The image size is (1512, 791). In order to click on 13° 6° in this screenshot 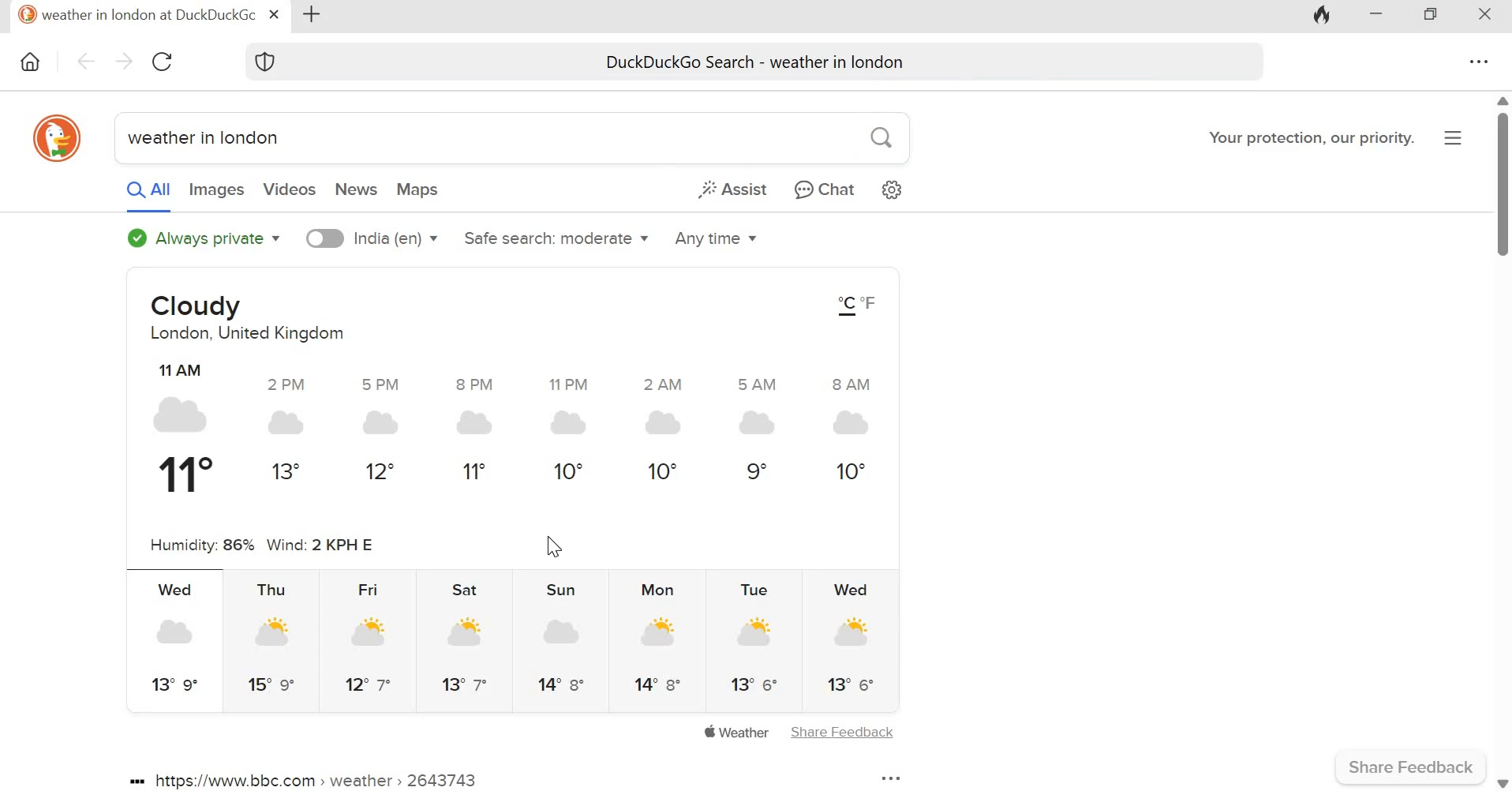, I will do `click(852, 684)`.